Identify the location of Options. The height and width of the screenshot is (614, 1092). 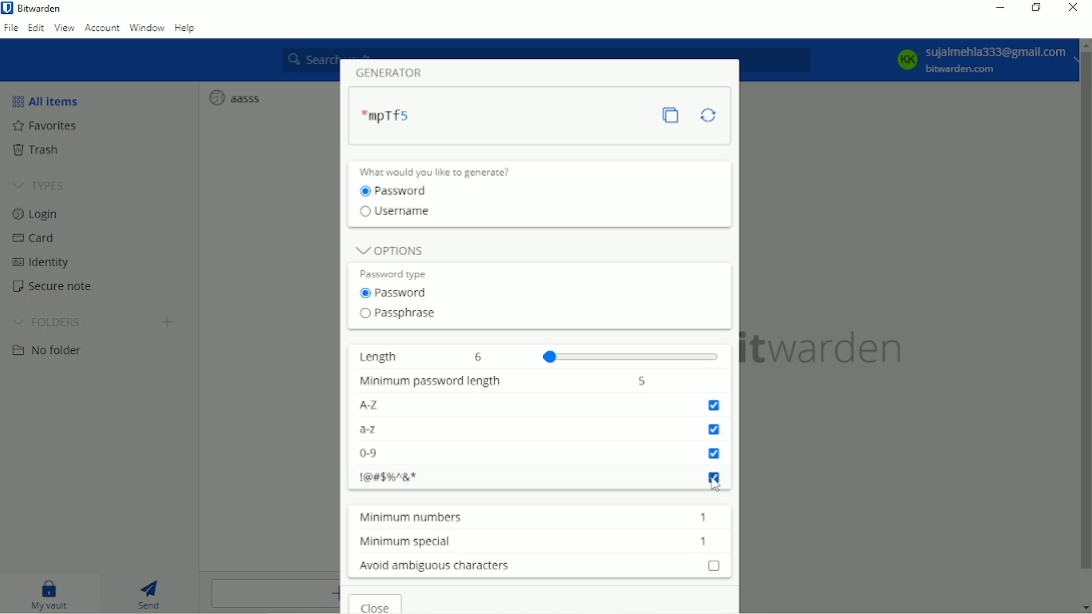
(390, 246).